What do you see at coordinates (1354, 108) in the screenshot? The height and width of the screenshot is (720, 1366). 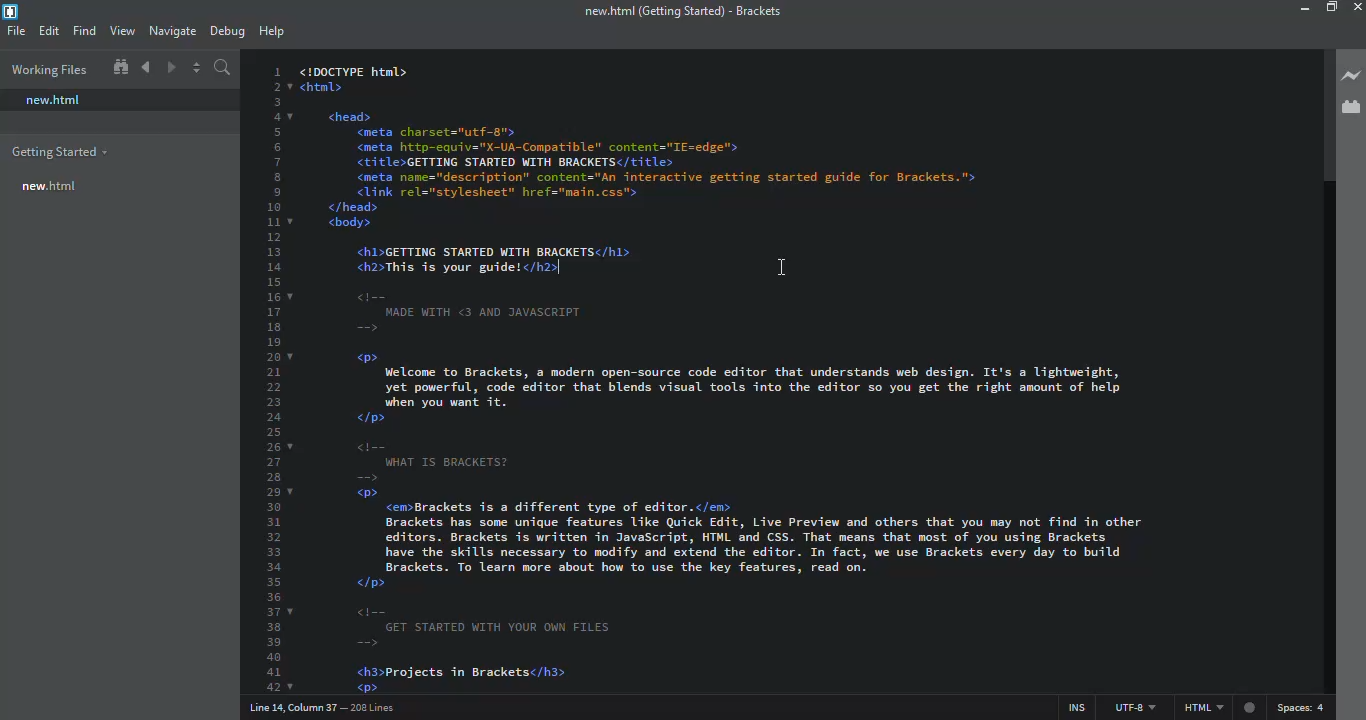 I see `extension manager` at bounding box center [1354, 108].